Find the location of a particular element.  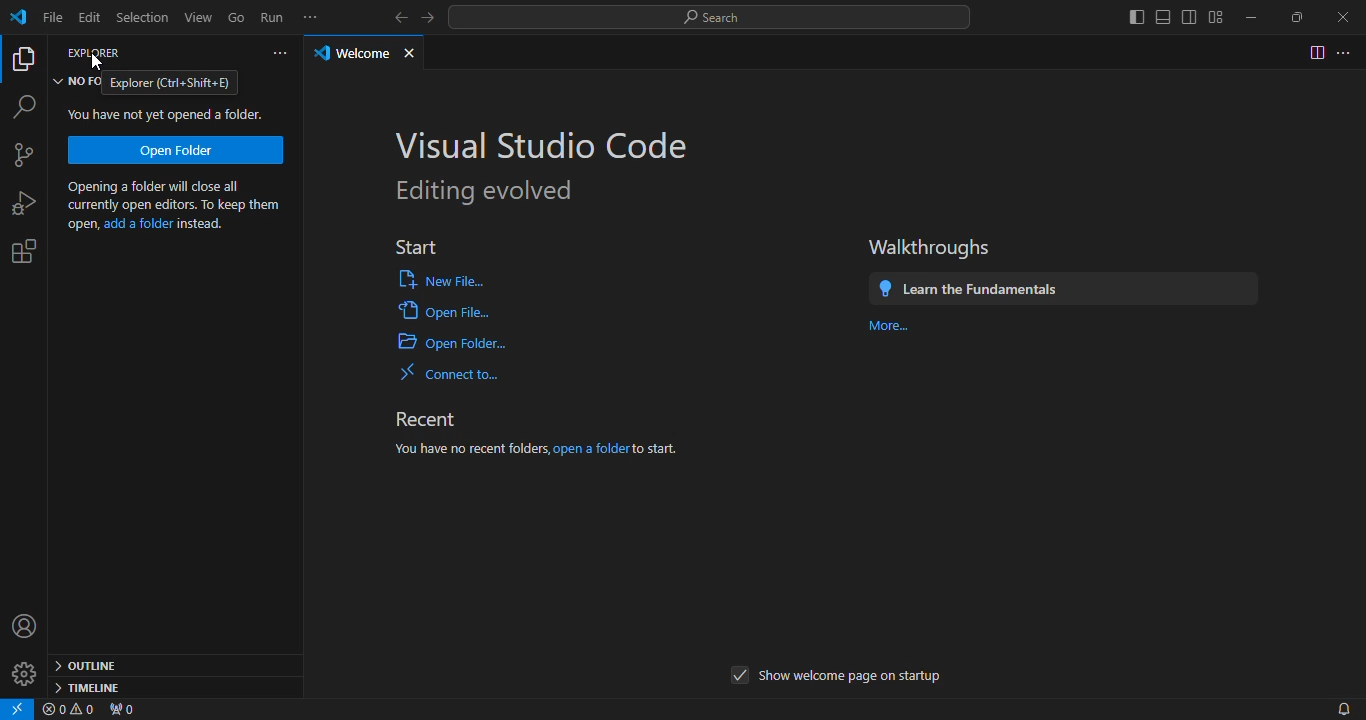

copy is located at coordinates (23, 61).